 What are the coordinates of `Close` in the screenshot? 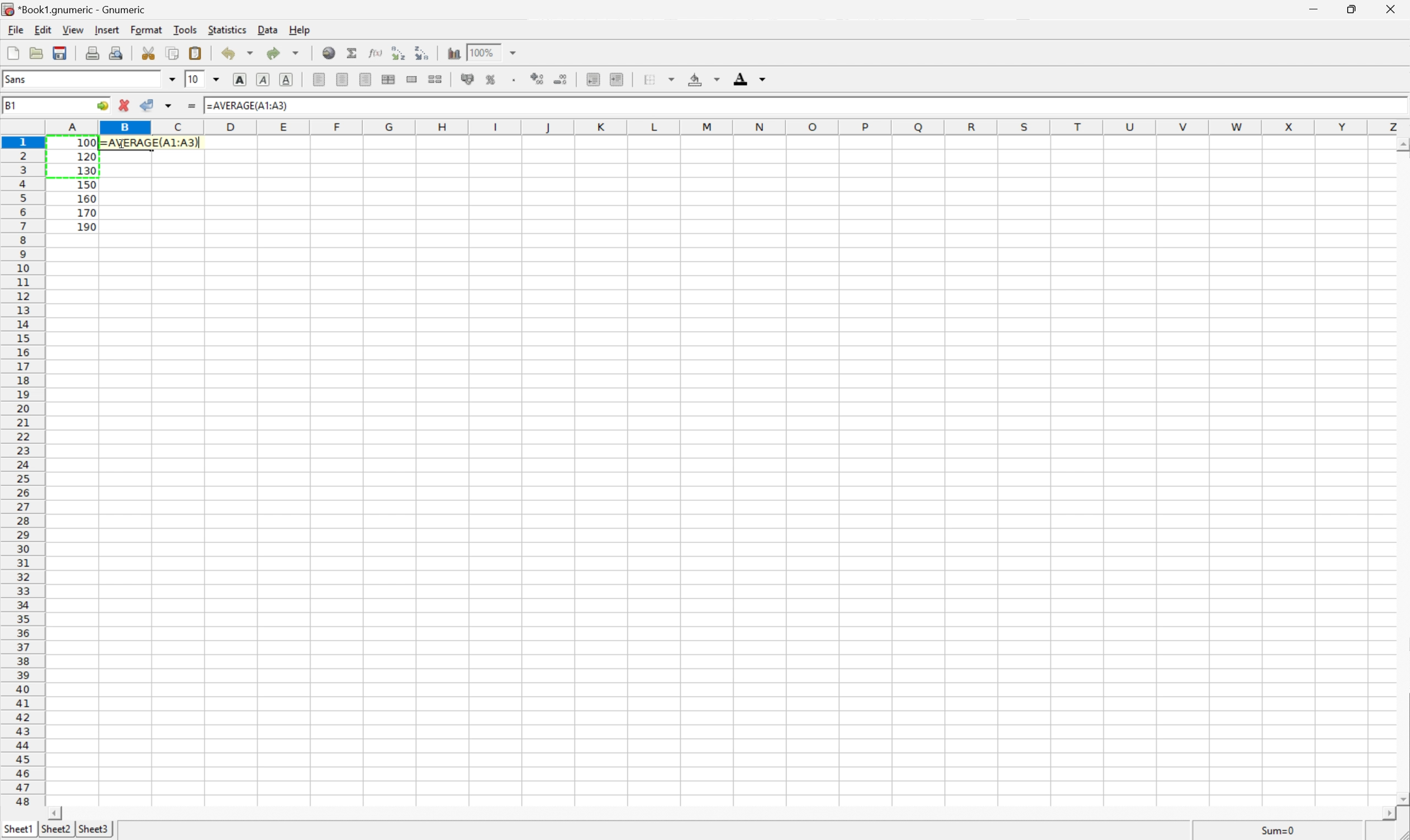 It's located at (1390, 11).